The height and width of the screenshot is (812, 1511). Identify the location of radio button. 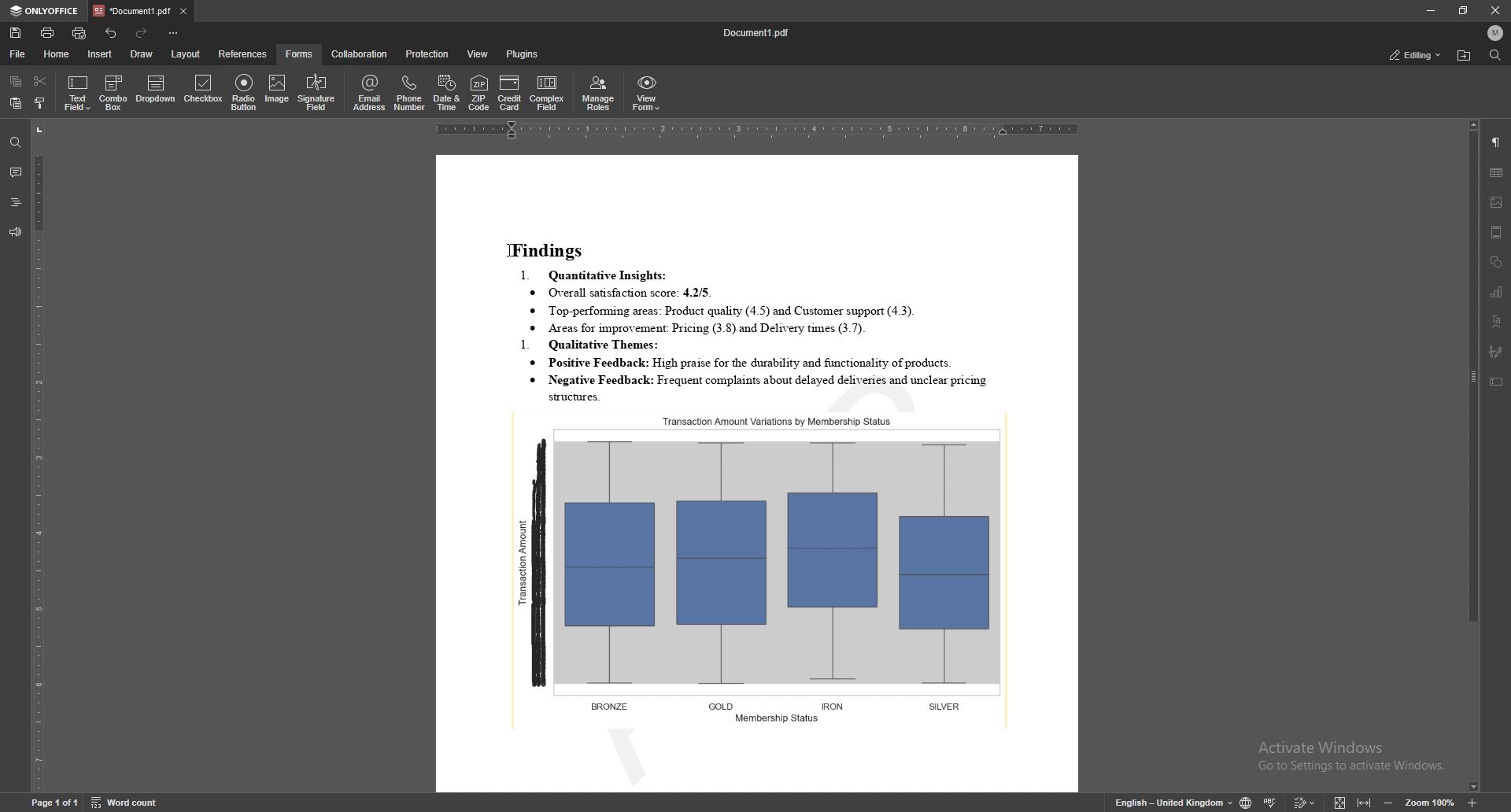
(243, 94).